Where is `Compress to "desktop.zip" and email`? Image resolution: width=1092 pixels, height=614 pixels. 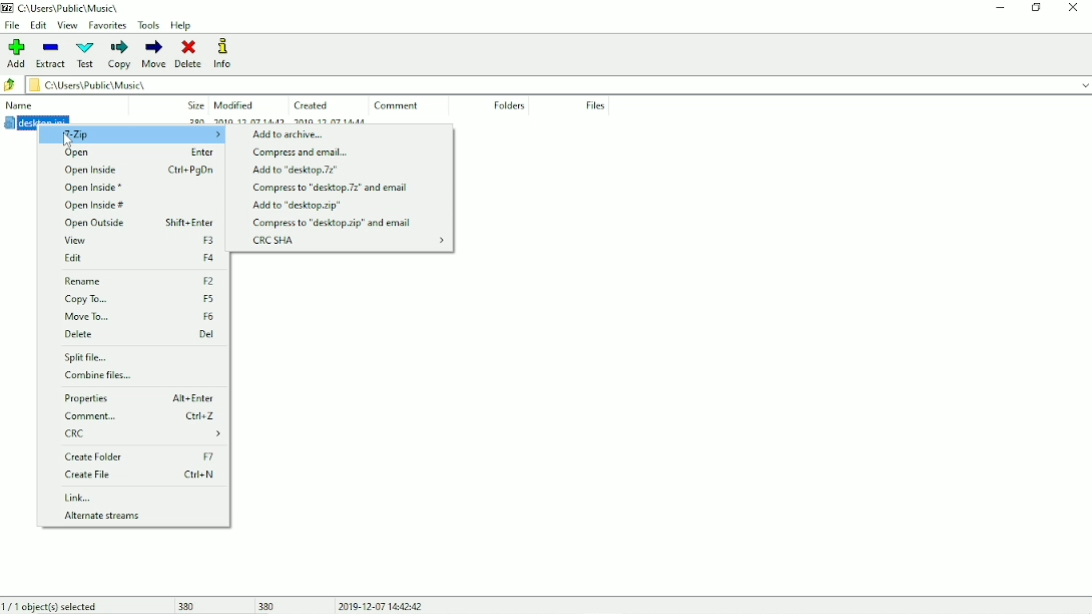
Compress to "desktop.zip" and email is located at coordinates (332, 223).